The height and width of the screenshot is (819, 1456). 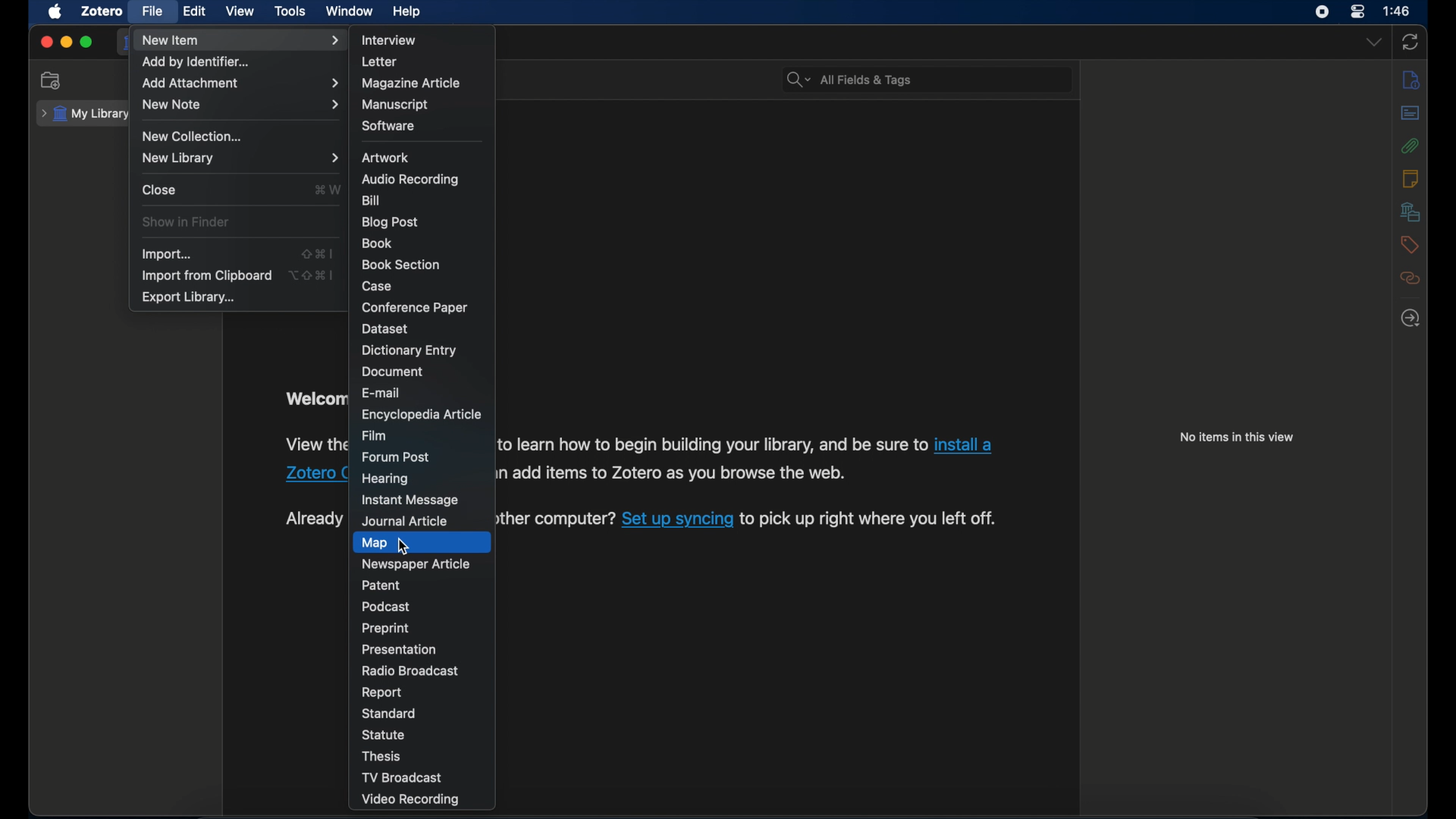 I want to click on 1:46, so click(x=1401, y=12).